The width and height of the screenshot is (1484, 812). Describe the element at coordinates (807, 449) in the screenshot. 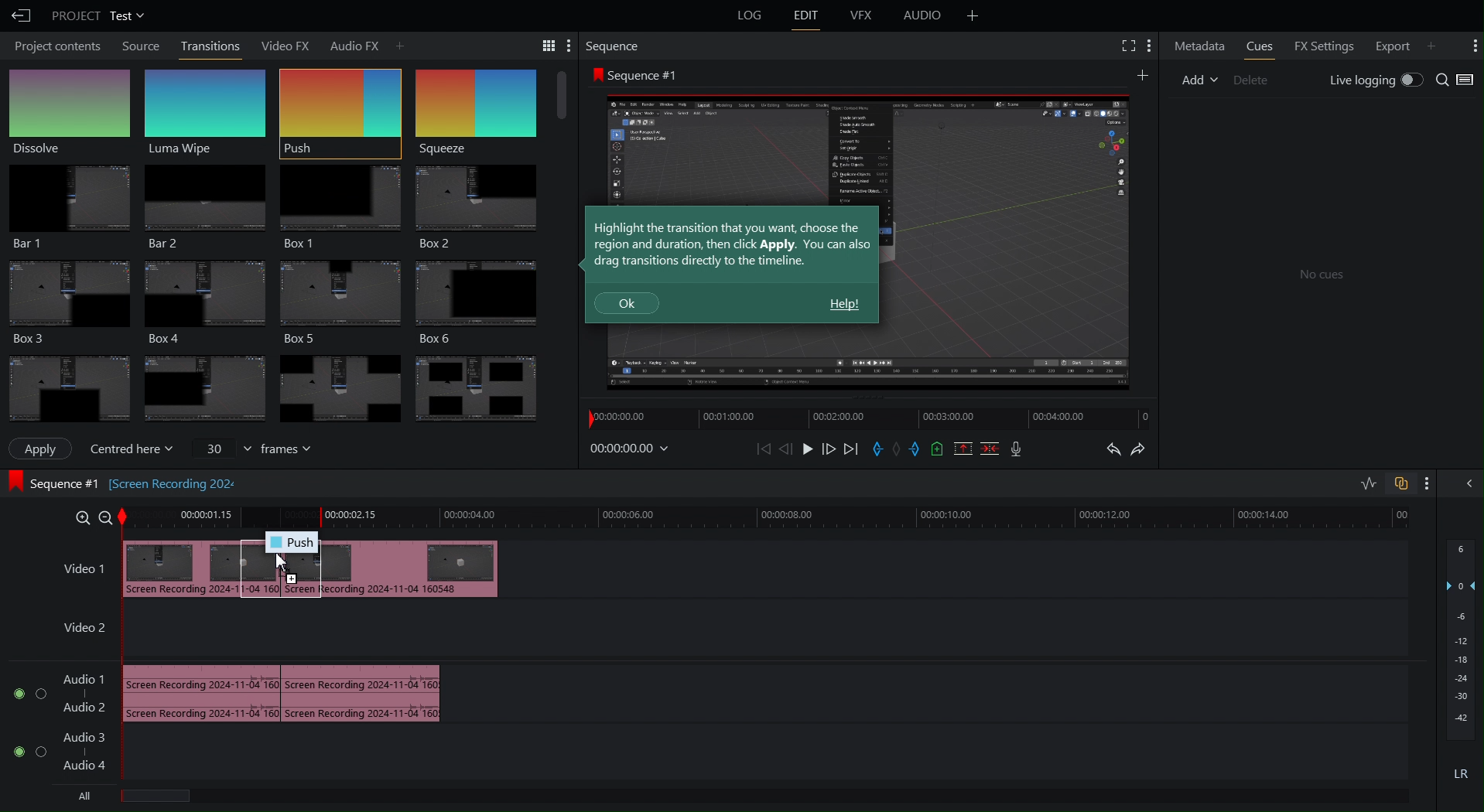

I see `Play` at that location.